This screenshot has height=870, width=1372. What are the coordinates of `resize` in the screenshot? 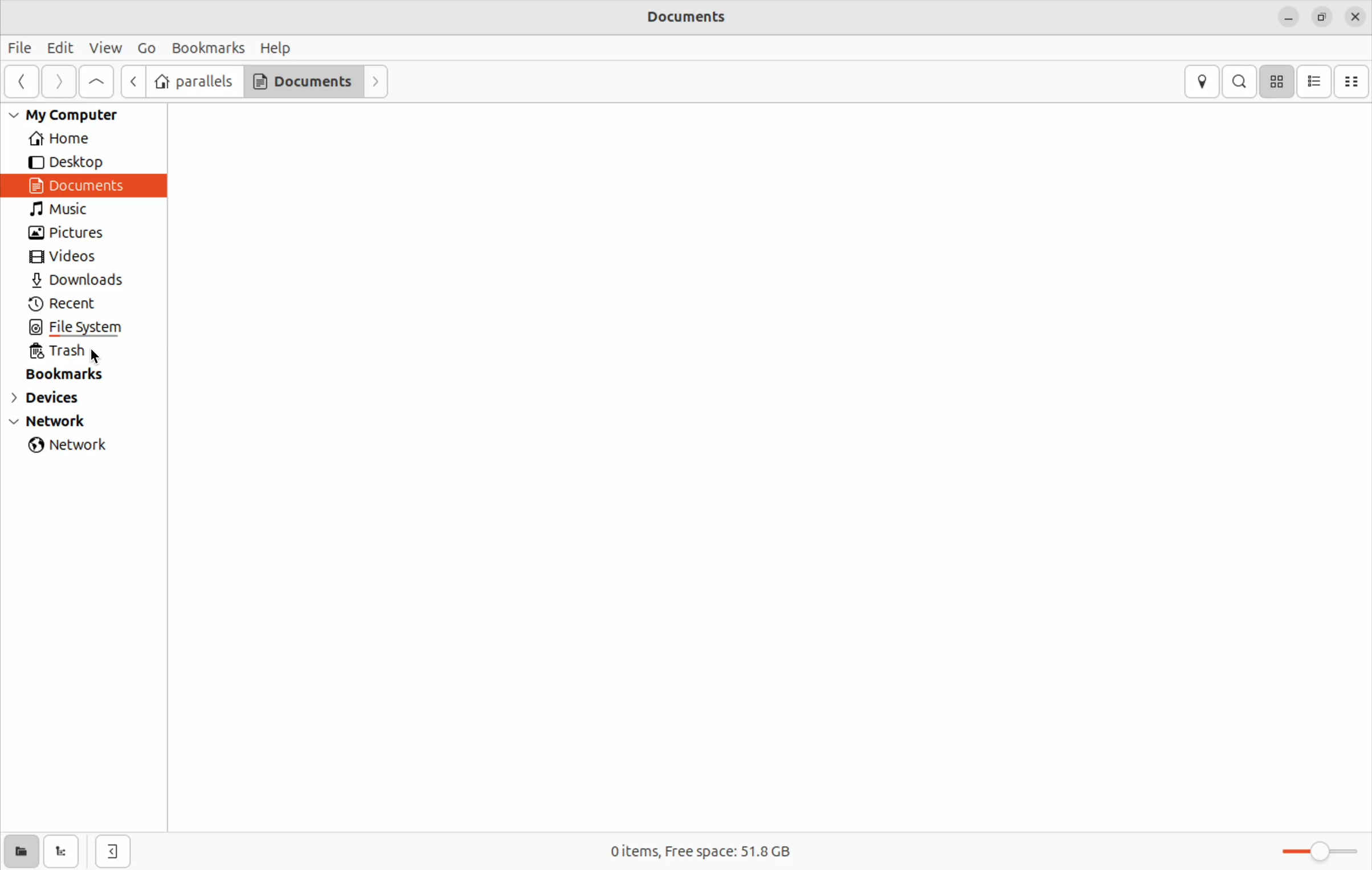 It's located at (1321, 18).